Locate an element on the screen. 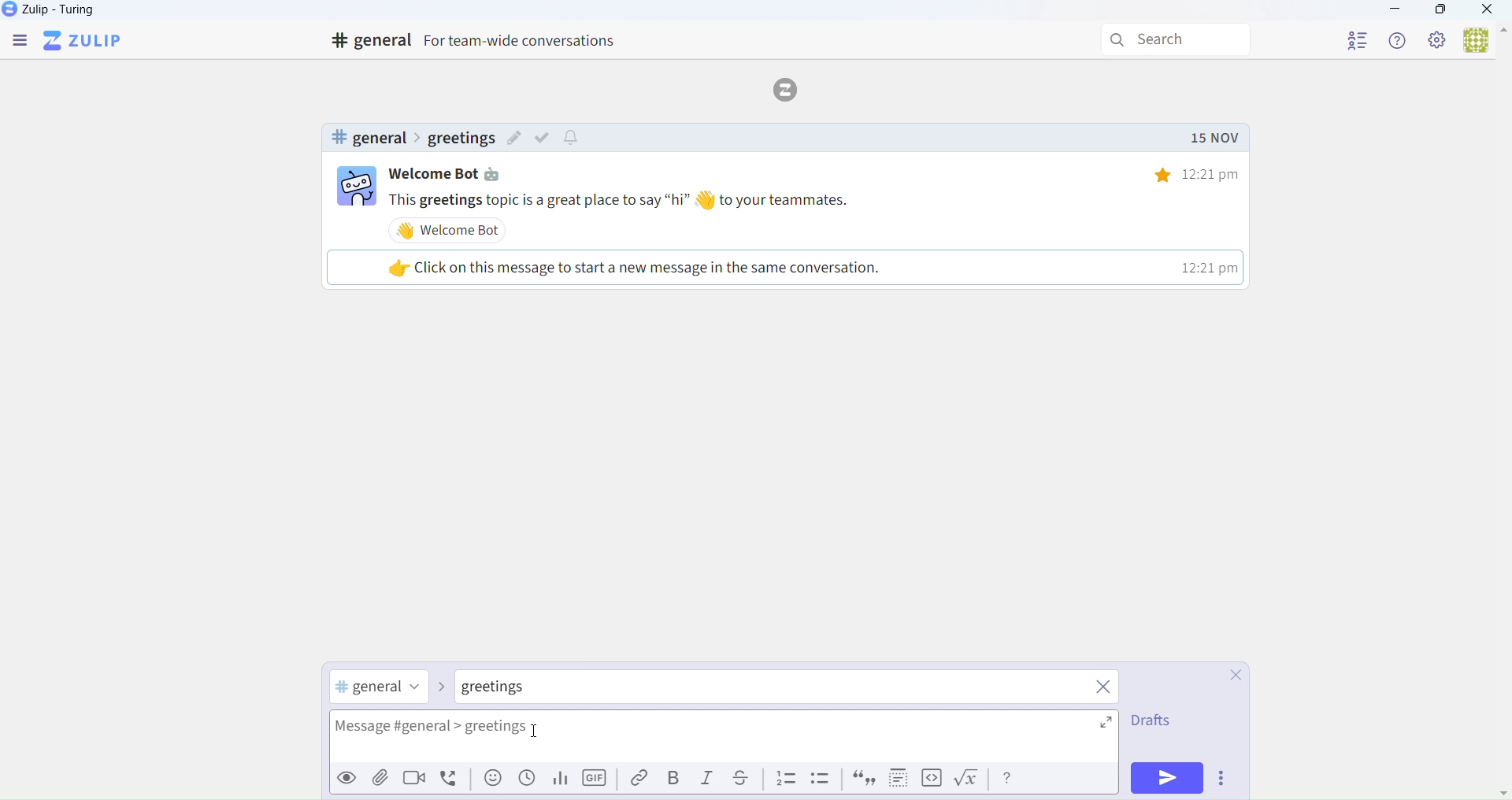 The height and width of the screenshot is (800, 1512). GIF is located at coordinates (597, 781).